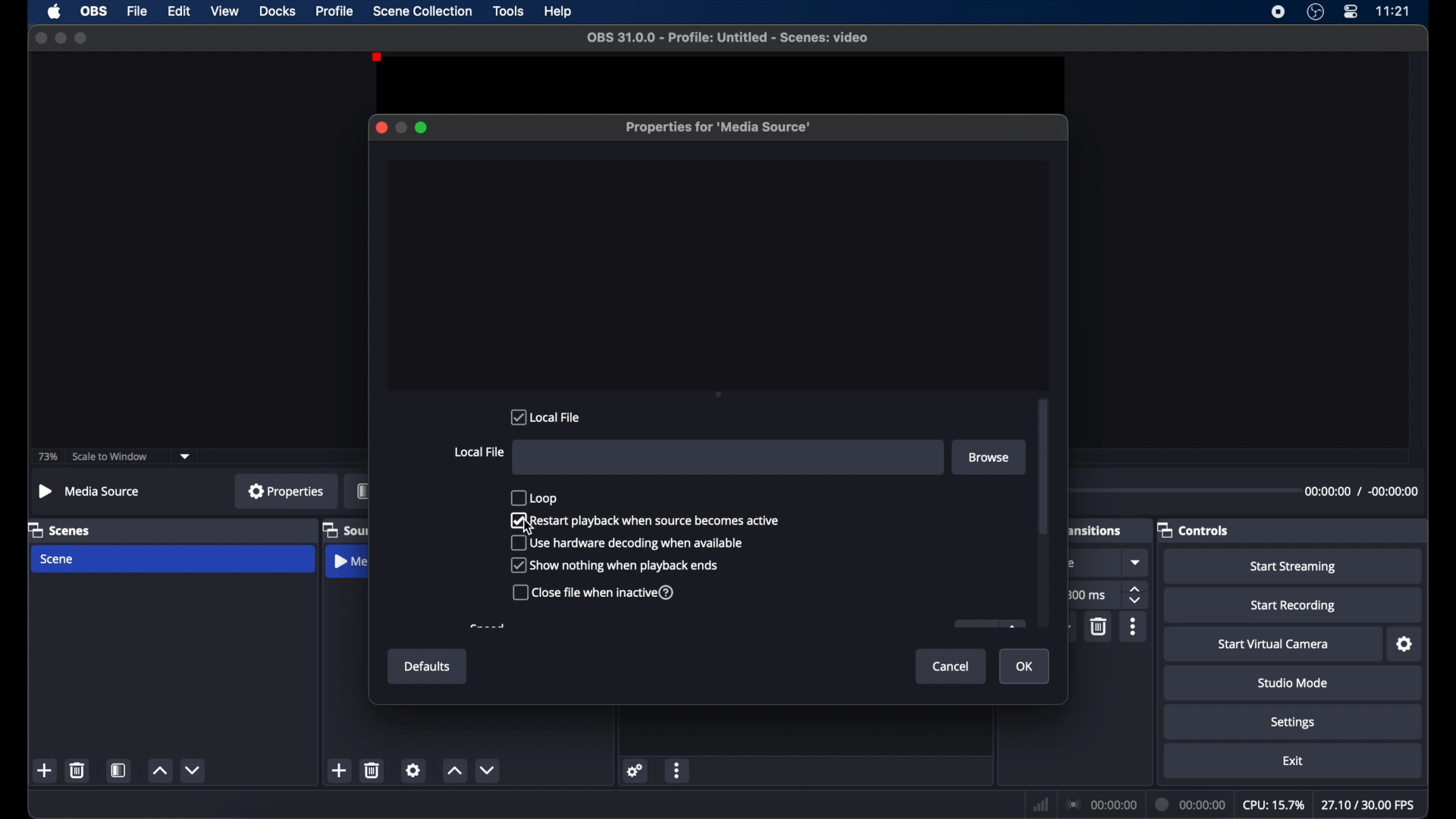  I want to click on delete, so click(1100, 626).